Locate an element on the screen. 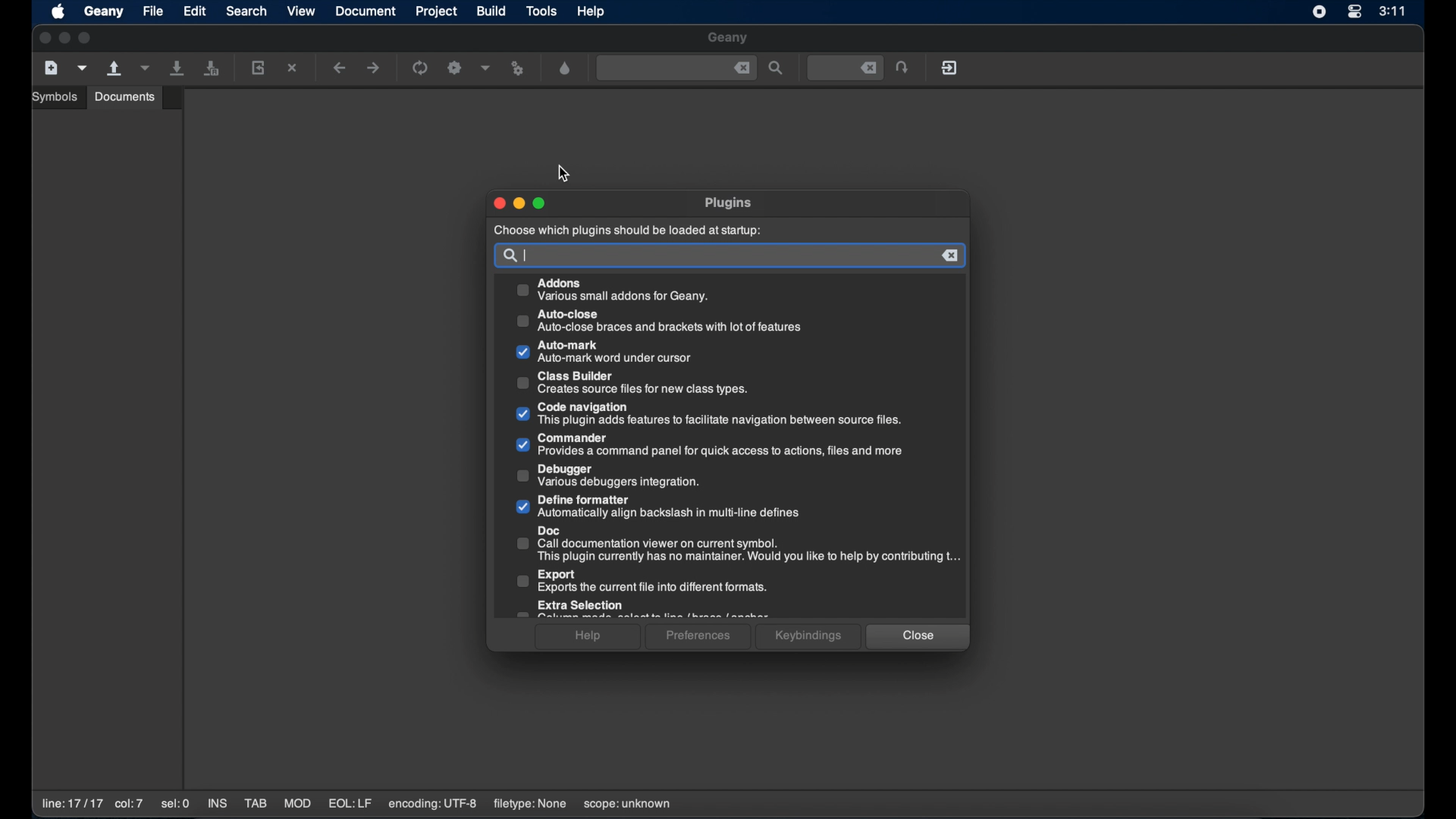 Image resolution: width=1456 pixels, height=819 pixels. co:7 is located at coordinates (128, 805).